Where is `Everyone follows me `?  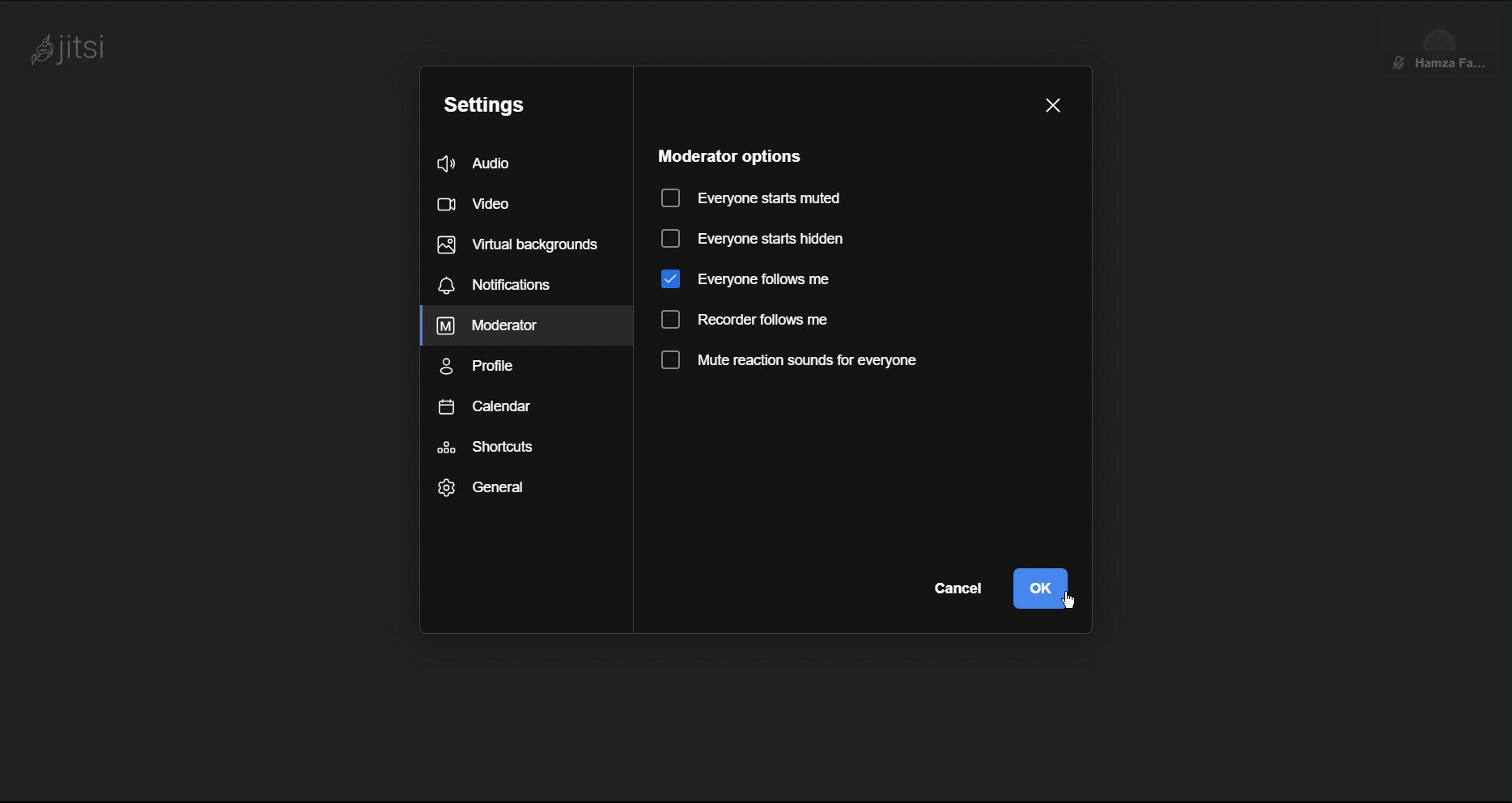
Everyone follows me  is located at coordinates (745, 278).